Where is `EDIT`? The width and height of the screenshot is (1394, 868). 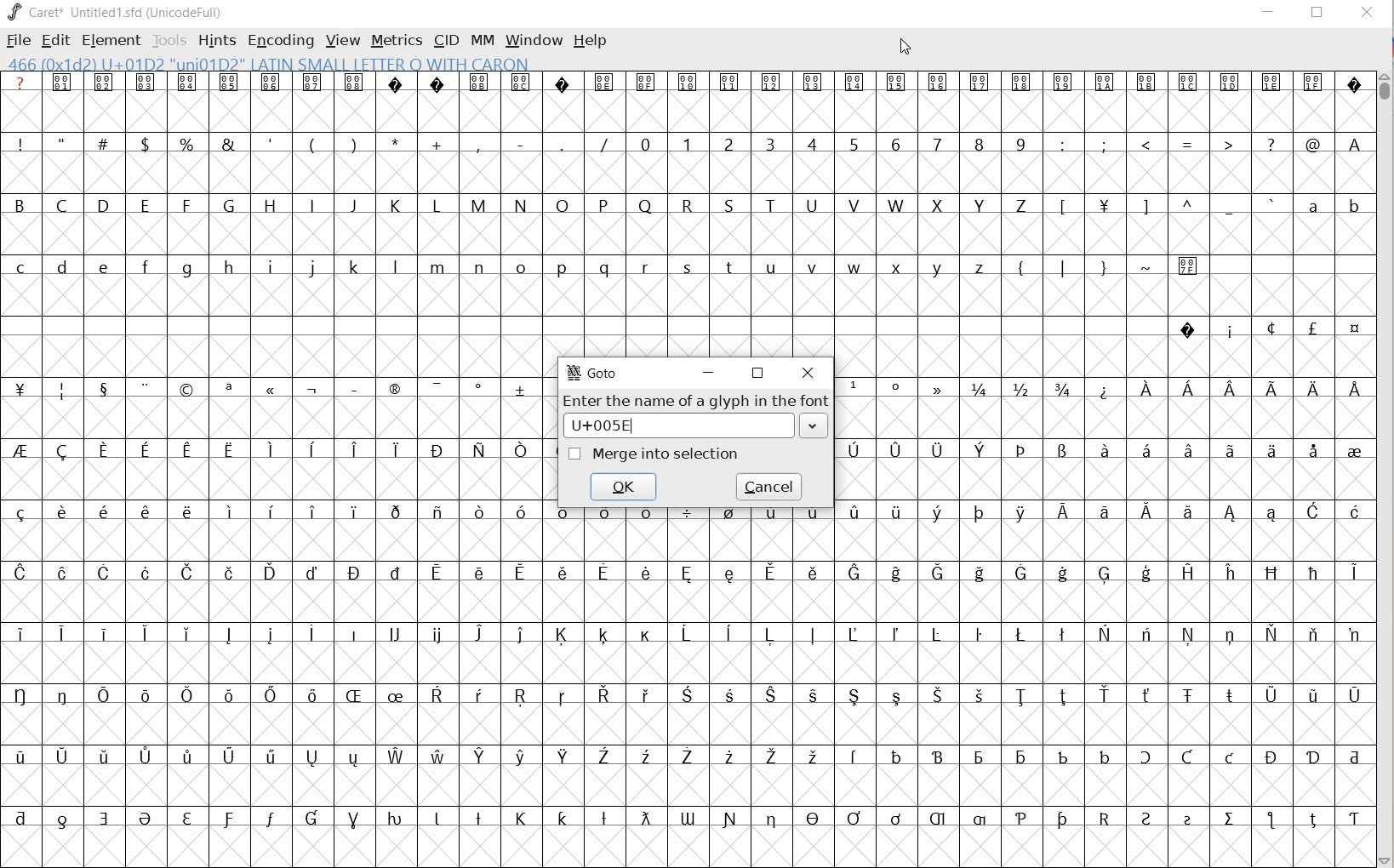
EDIT is located at coordinates (57, 41).